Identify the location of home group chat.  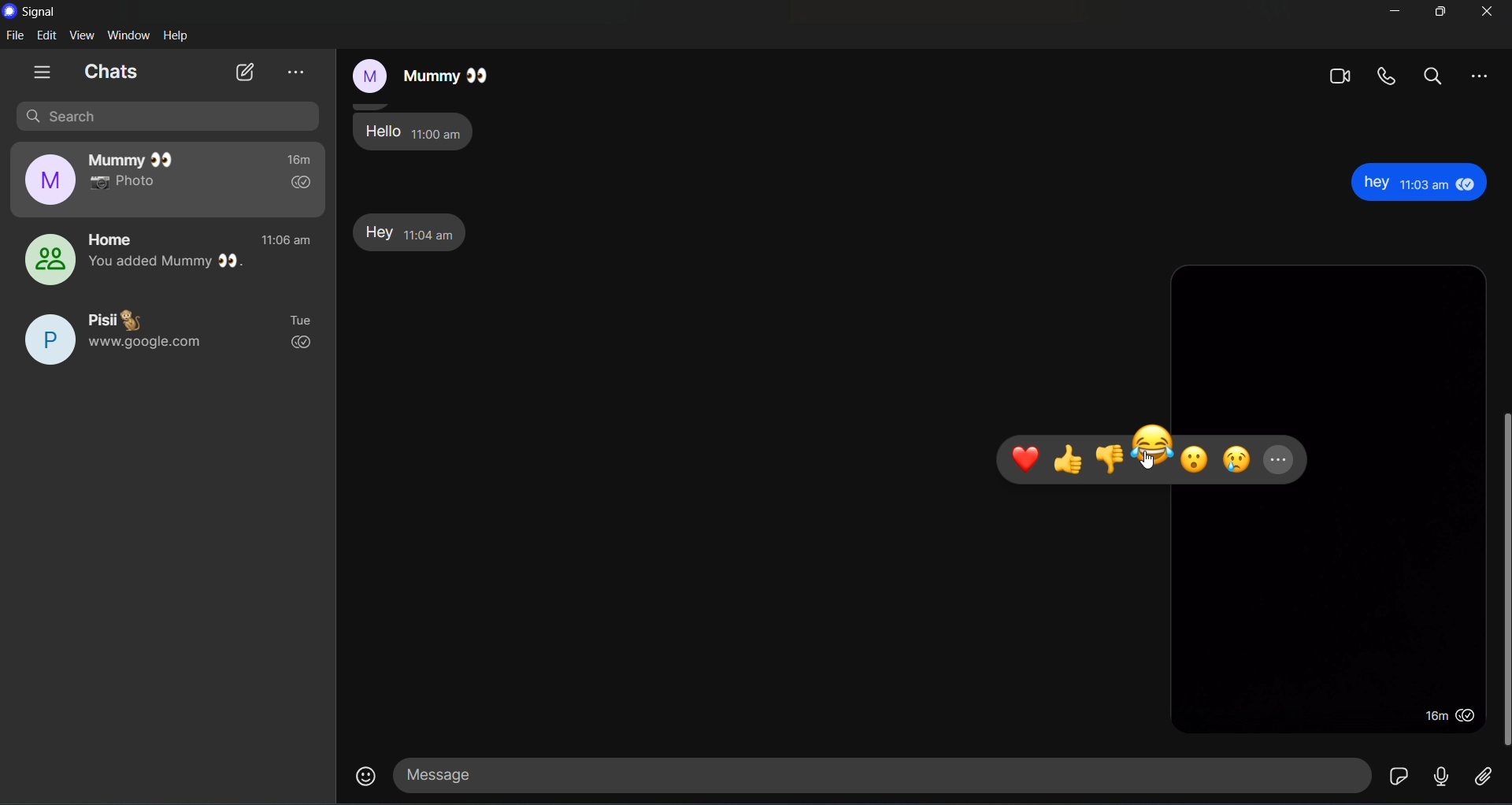
(165, 260).